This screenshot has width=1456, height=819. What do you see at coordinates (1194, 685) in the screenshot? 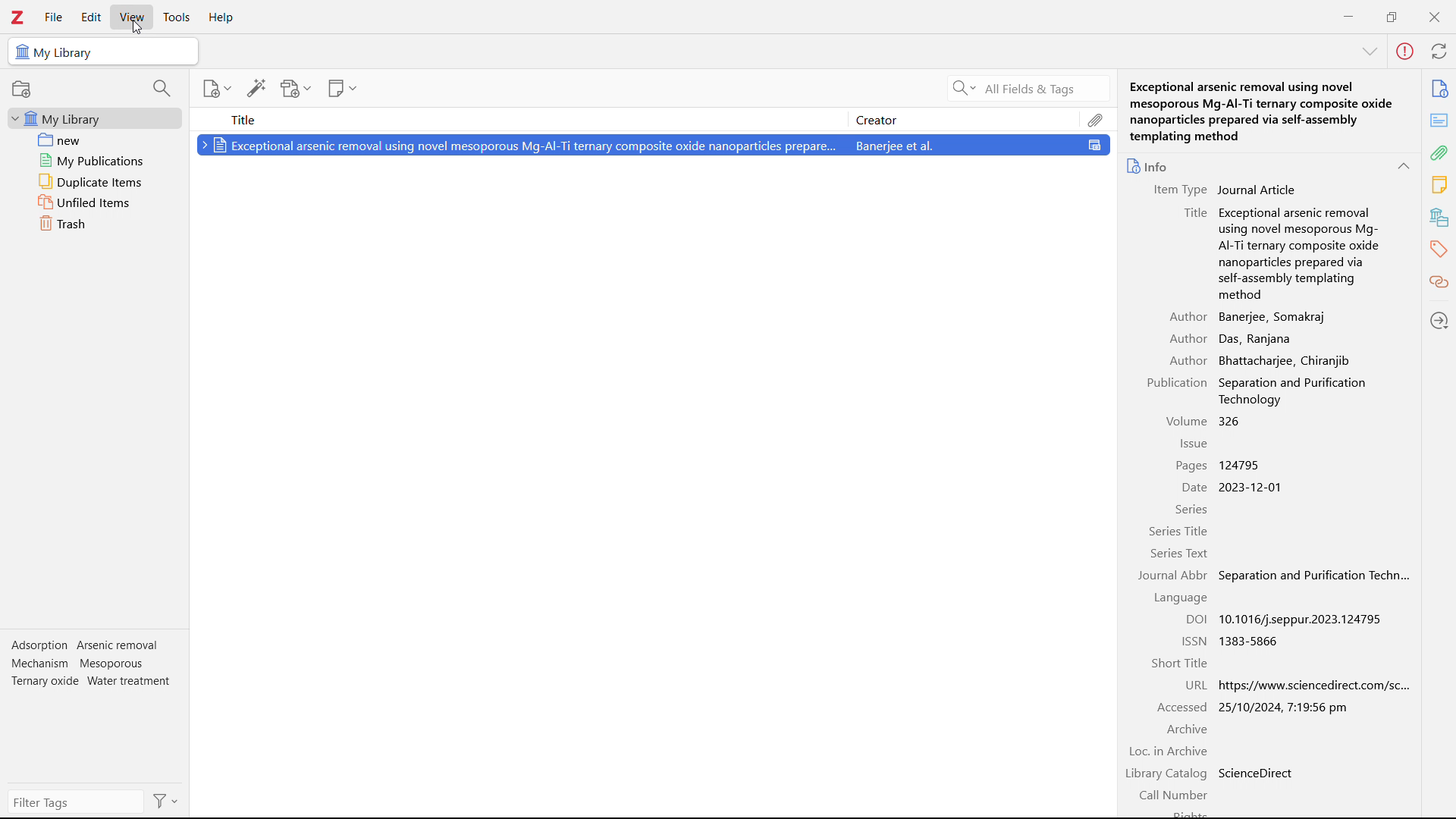
I see `URL` at bounding box center [1194, 685].